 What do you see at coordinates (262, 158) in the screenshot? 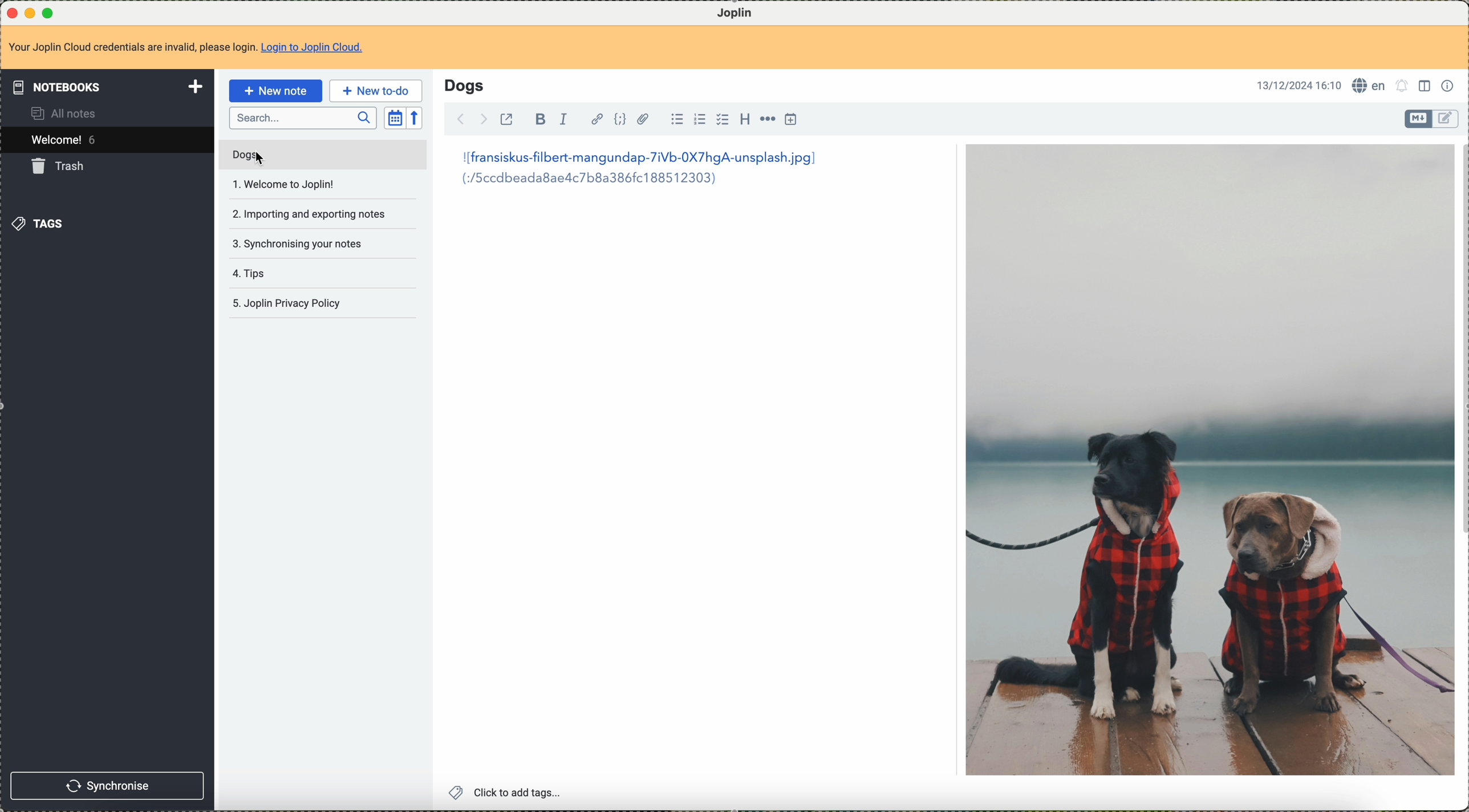
I see `Cursor` at bounding box center [262, 158].